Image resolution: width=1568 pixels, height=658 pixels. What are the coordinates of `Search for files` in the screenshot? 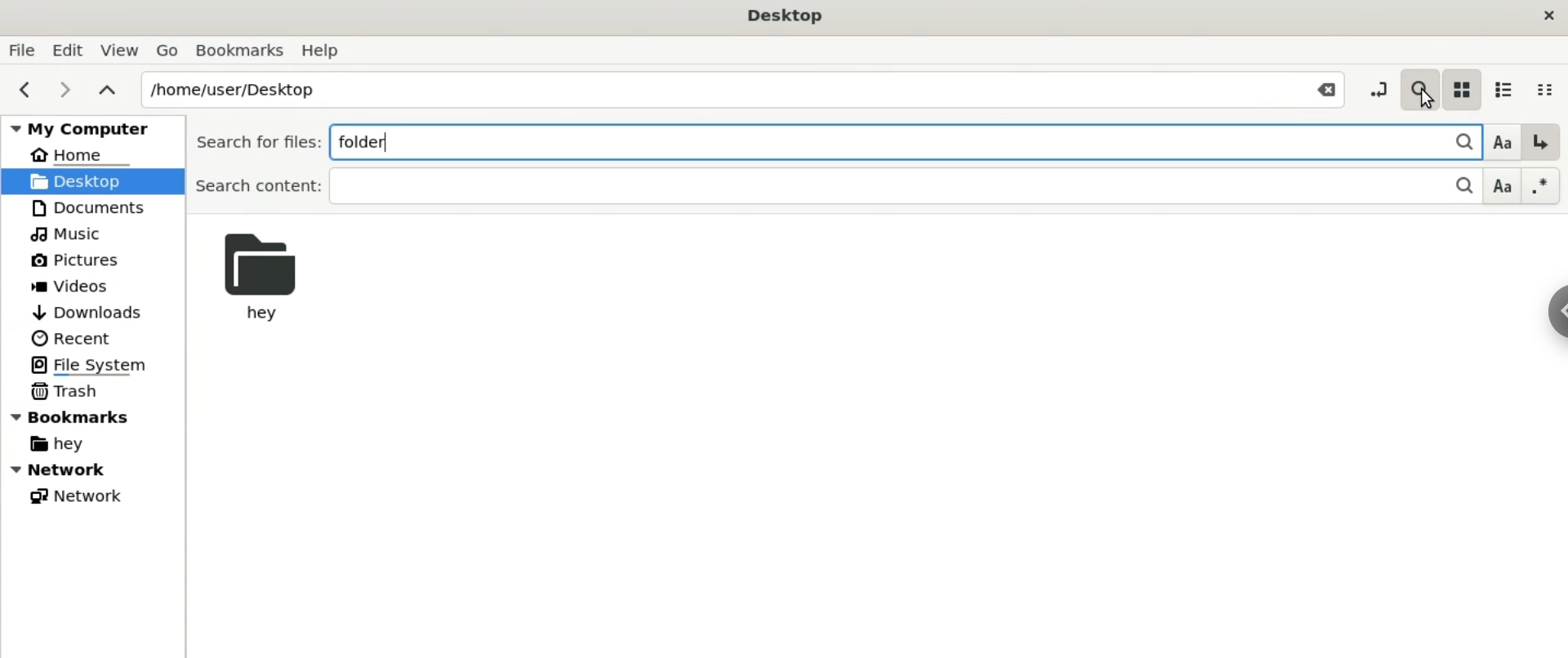 It's located at (255, 142).